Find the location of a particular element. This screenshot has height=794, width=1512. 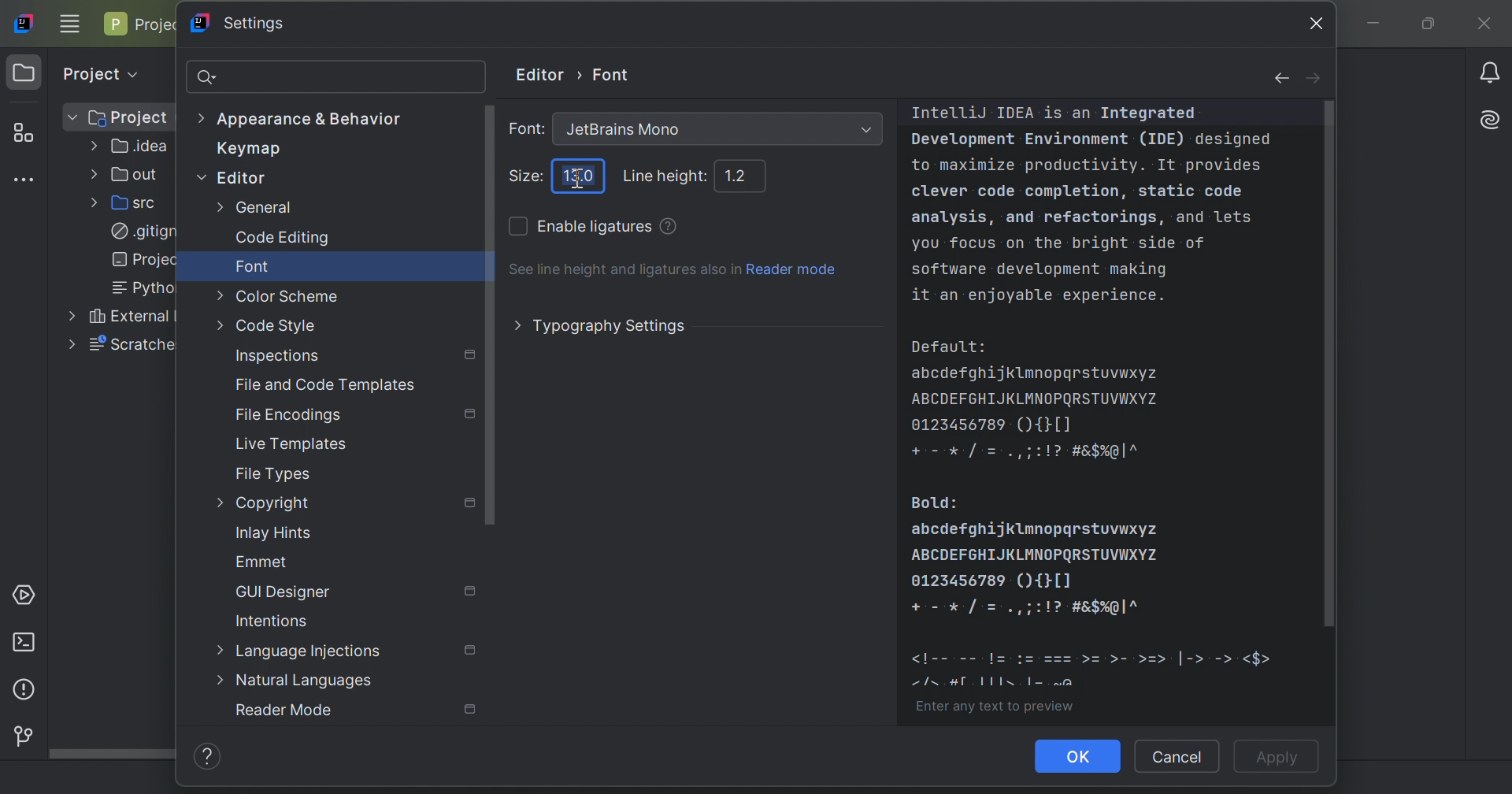

File Encodings is located at coordinates (289, 417).